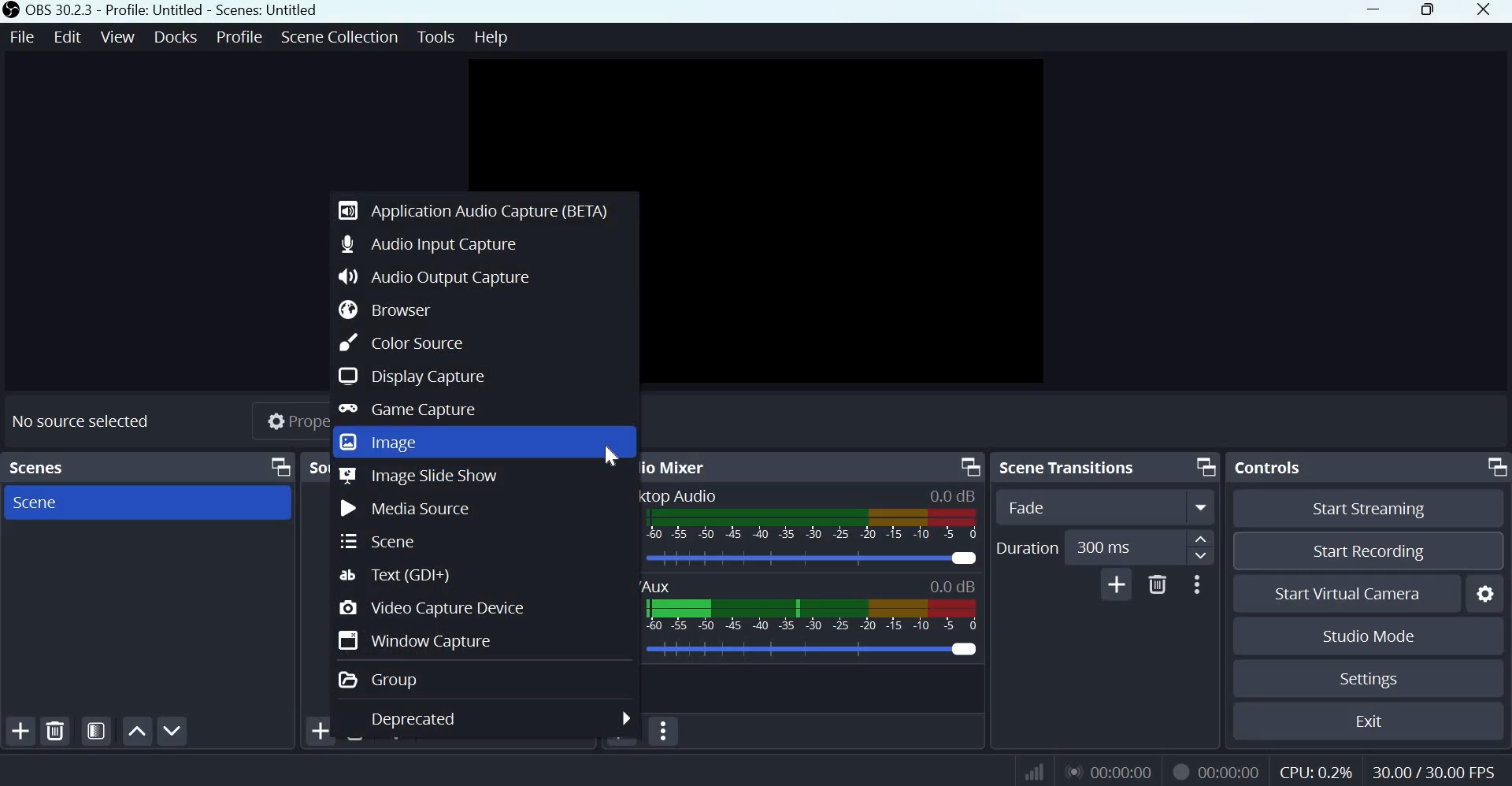 This screenshot has width=1512, height=786. What do you see at coordinates (87, 424) in the screenshot?
I see `No source selected` at bounding box center [87, 424].